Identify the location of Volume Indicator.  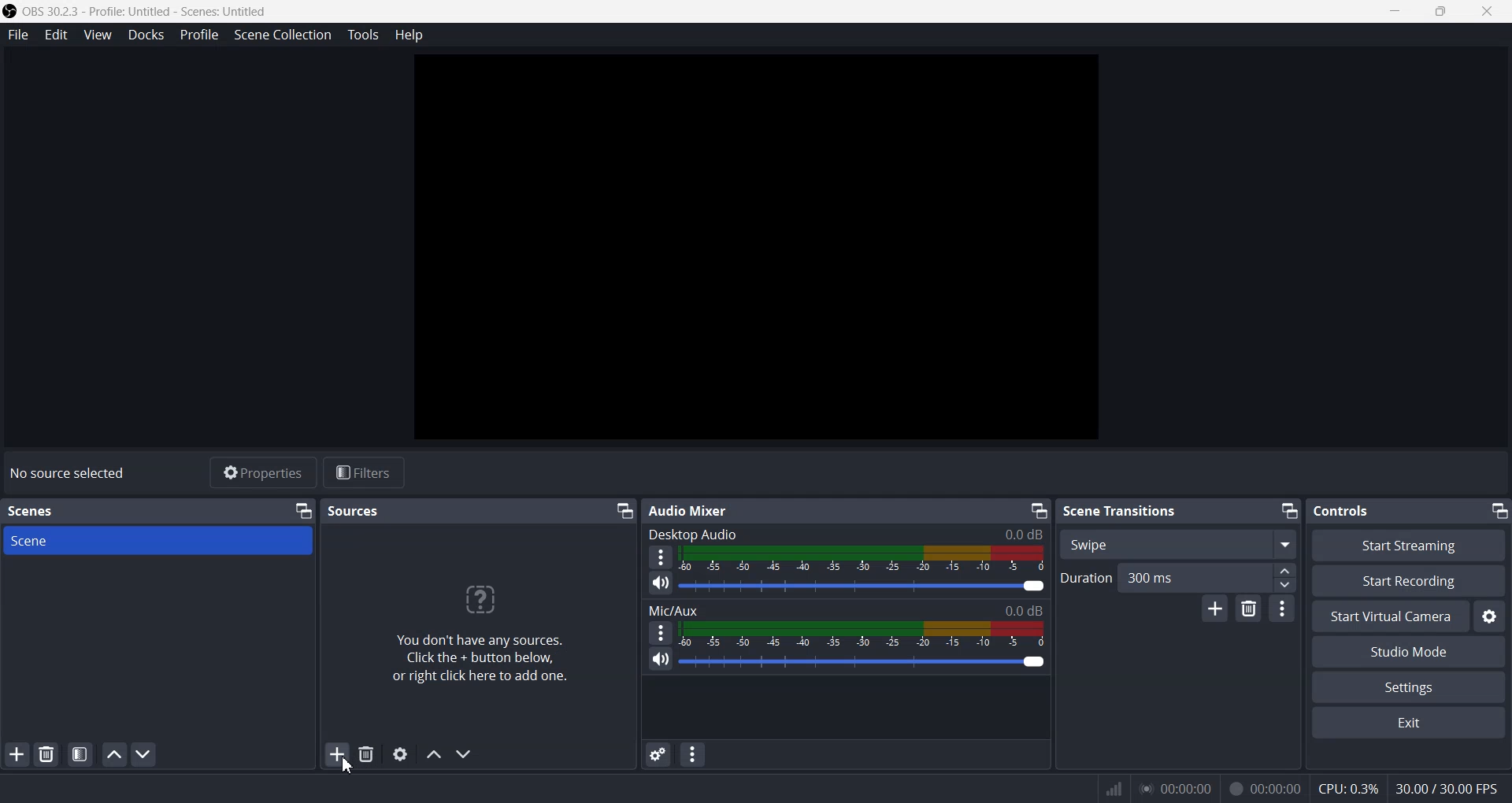
(862, 635).